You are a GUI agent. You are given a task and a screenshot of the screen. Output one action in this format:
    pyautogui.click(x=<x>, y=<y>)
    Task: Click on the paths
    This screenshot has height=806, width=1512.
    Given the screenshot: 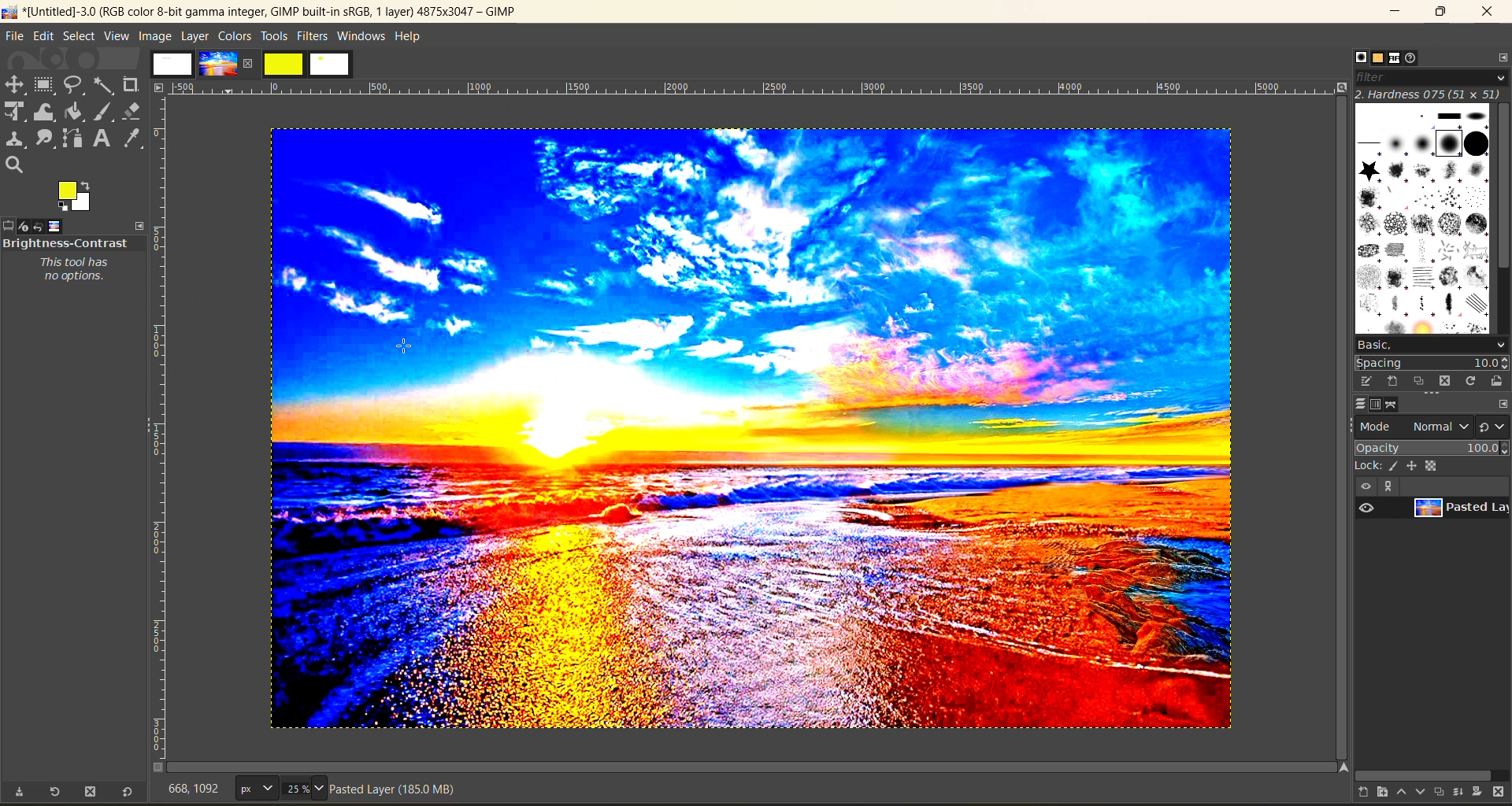 What is the action you would take?
    pyautogui.click(x=1393, y=405)
    